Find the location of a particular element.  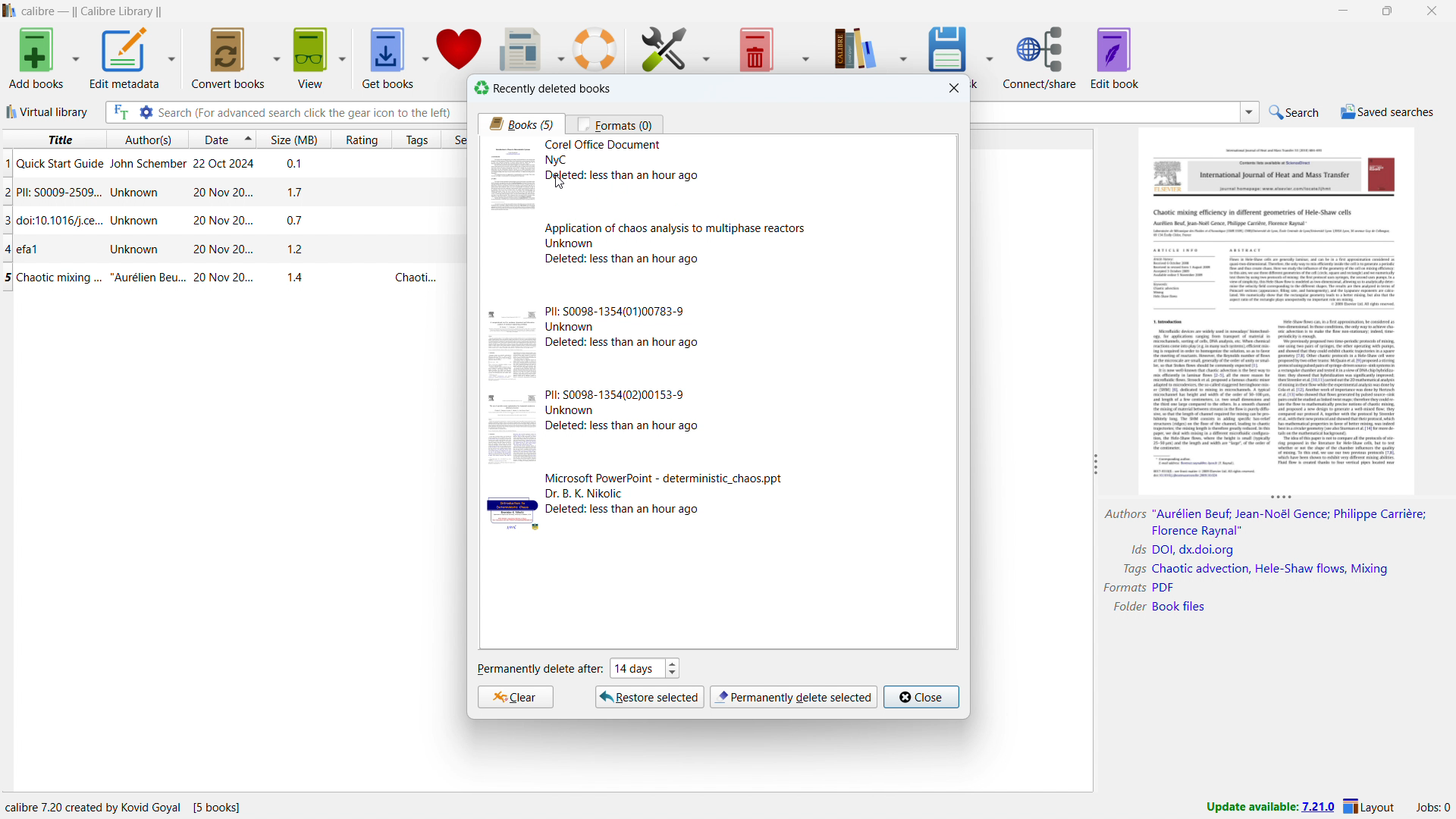

single book entry is located at coordinates (227, 221).